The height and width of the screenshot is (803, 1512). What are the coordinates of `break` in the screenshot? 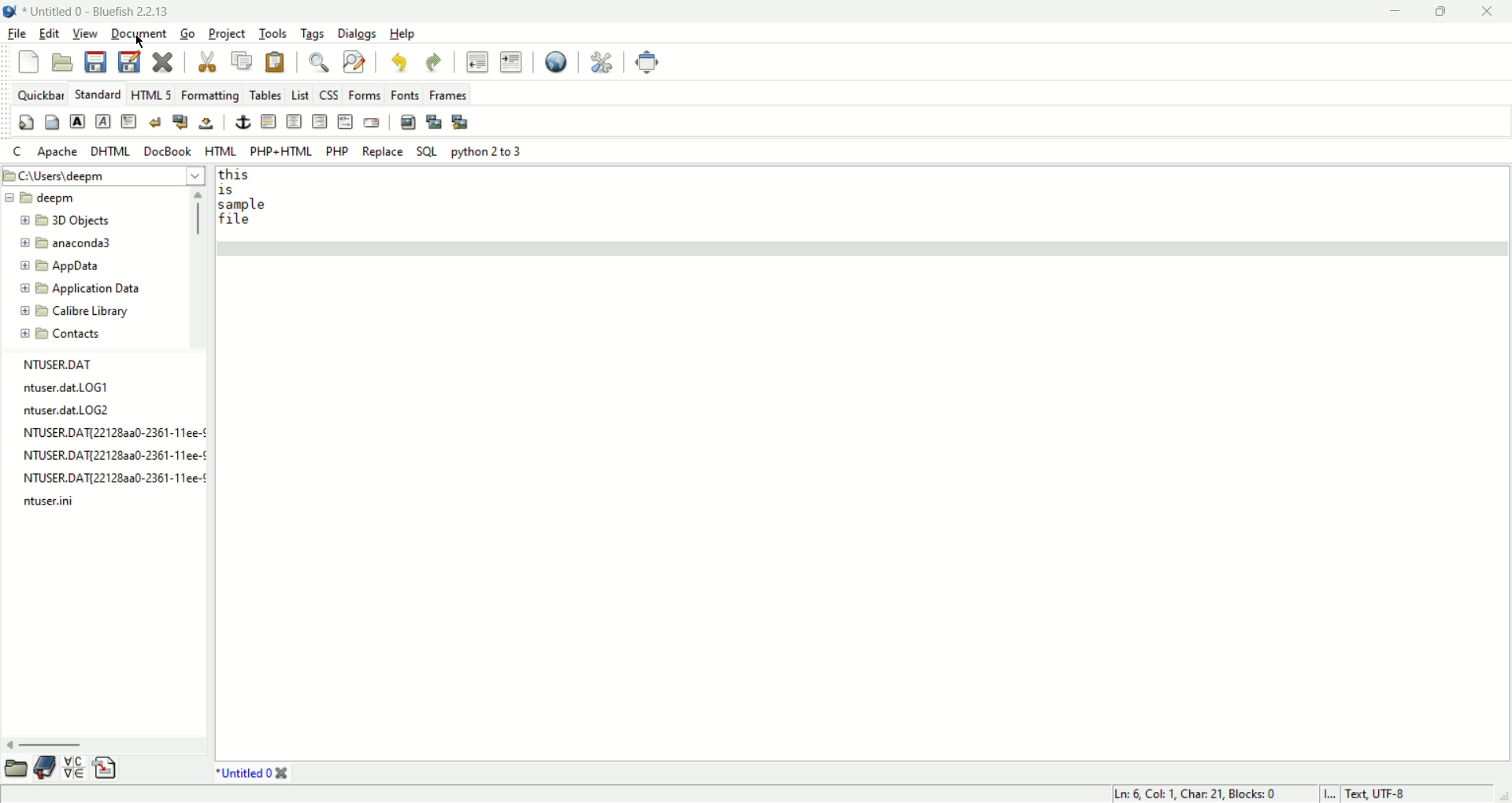 It's located at (157, 121).